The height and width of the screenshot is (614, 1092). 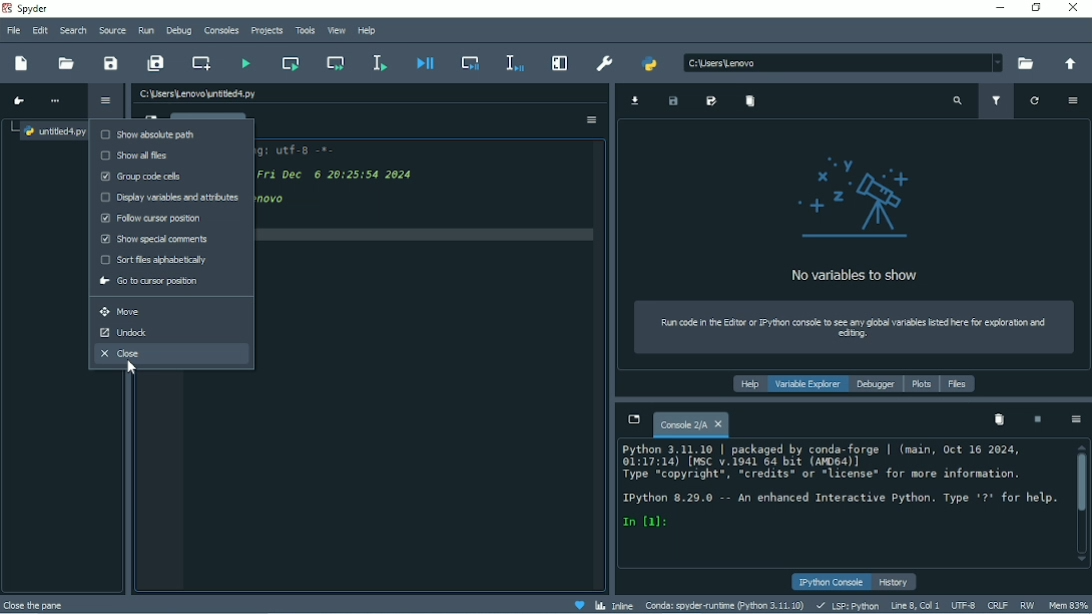 What do you see at coordinates (289, 63) in the screenshot?
I see `Run current cell` at bounding box center [289, 63].